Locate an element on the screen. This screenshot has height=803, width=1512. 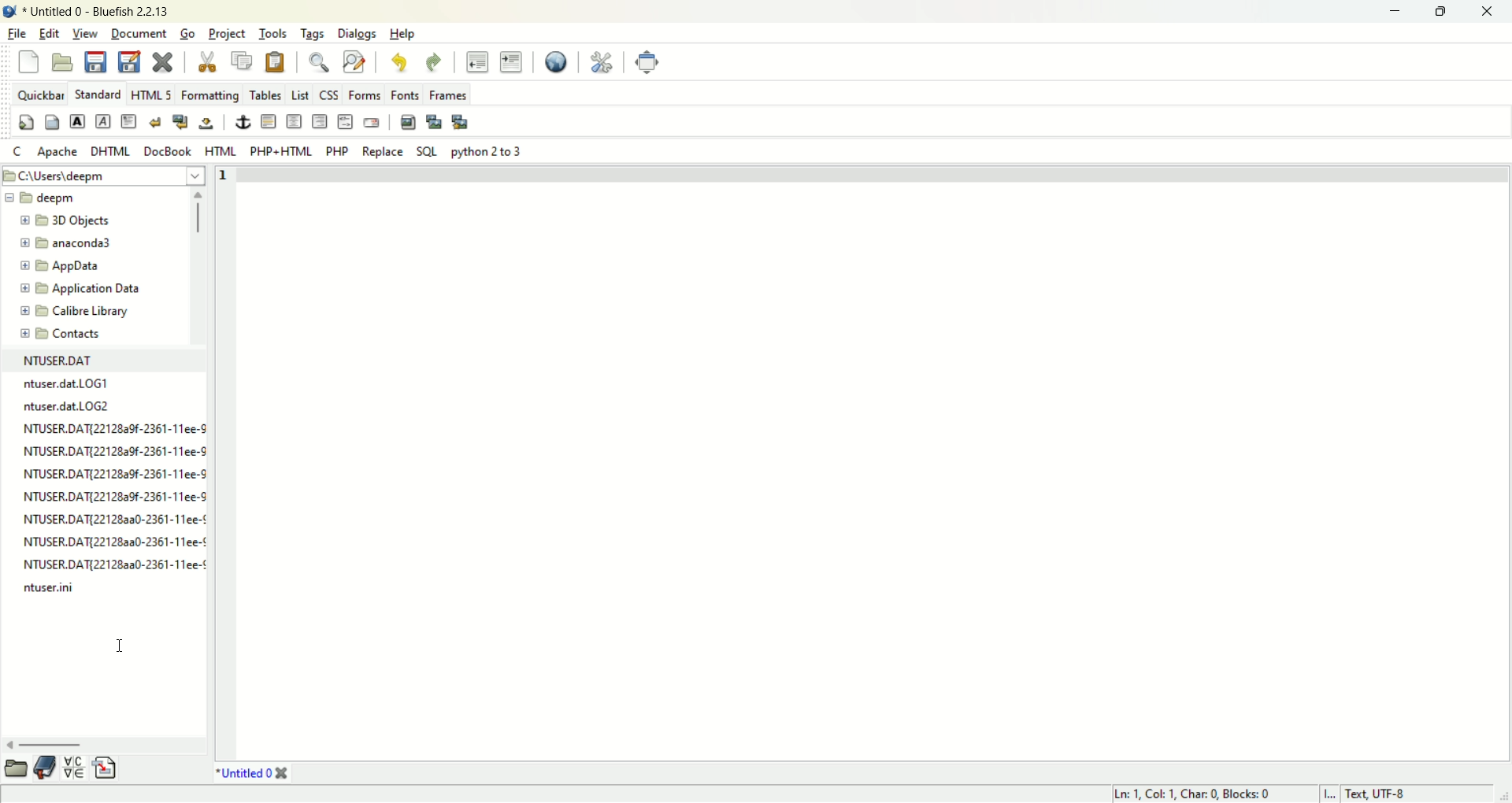
scroll bar is located at coordinates (104, 747).